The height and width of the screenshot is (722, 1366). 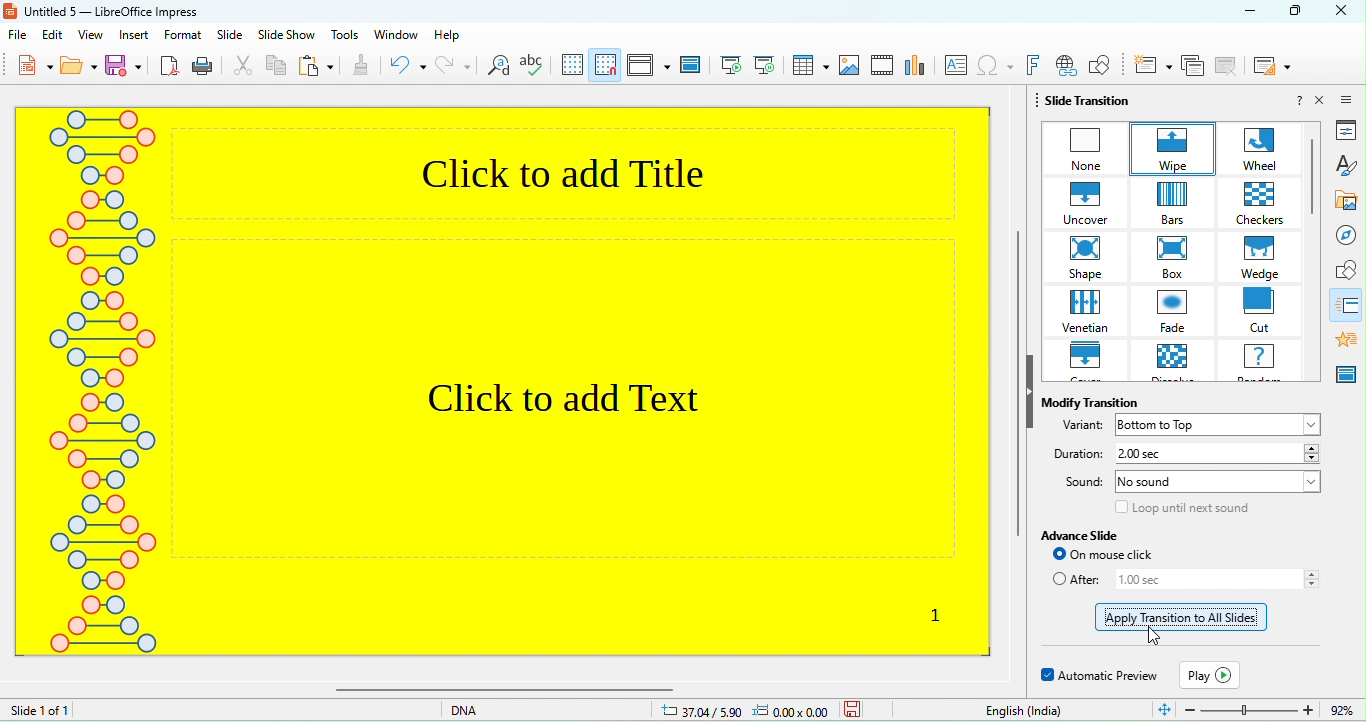 What do you see at coordinates (1256, 709) in the screenshot?
I see `zoom` at bounding box center [1256, 709].